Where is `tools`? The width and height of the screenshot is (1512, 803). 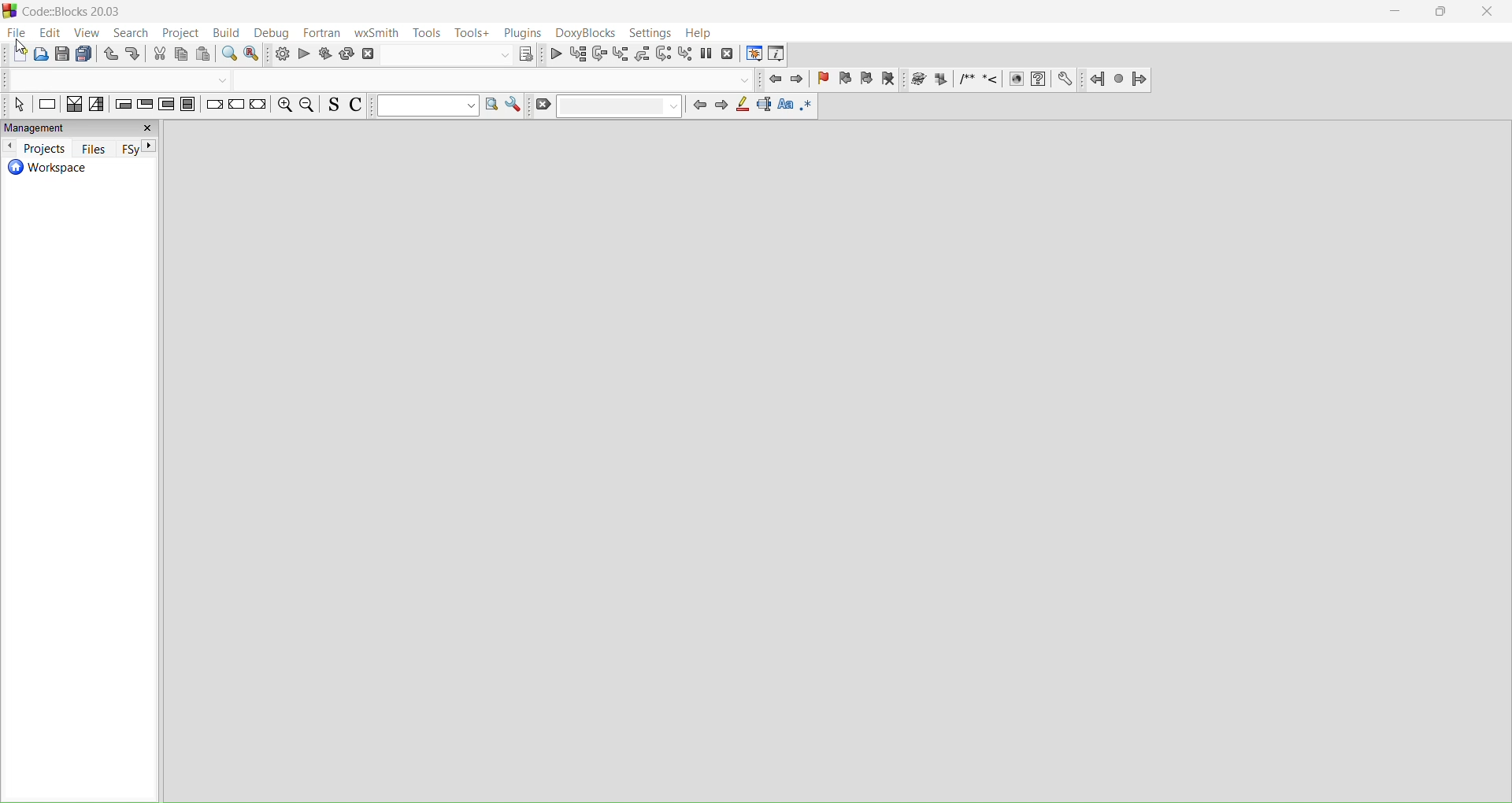 tools is located at coordinates (426, 33).